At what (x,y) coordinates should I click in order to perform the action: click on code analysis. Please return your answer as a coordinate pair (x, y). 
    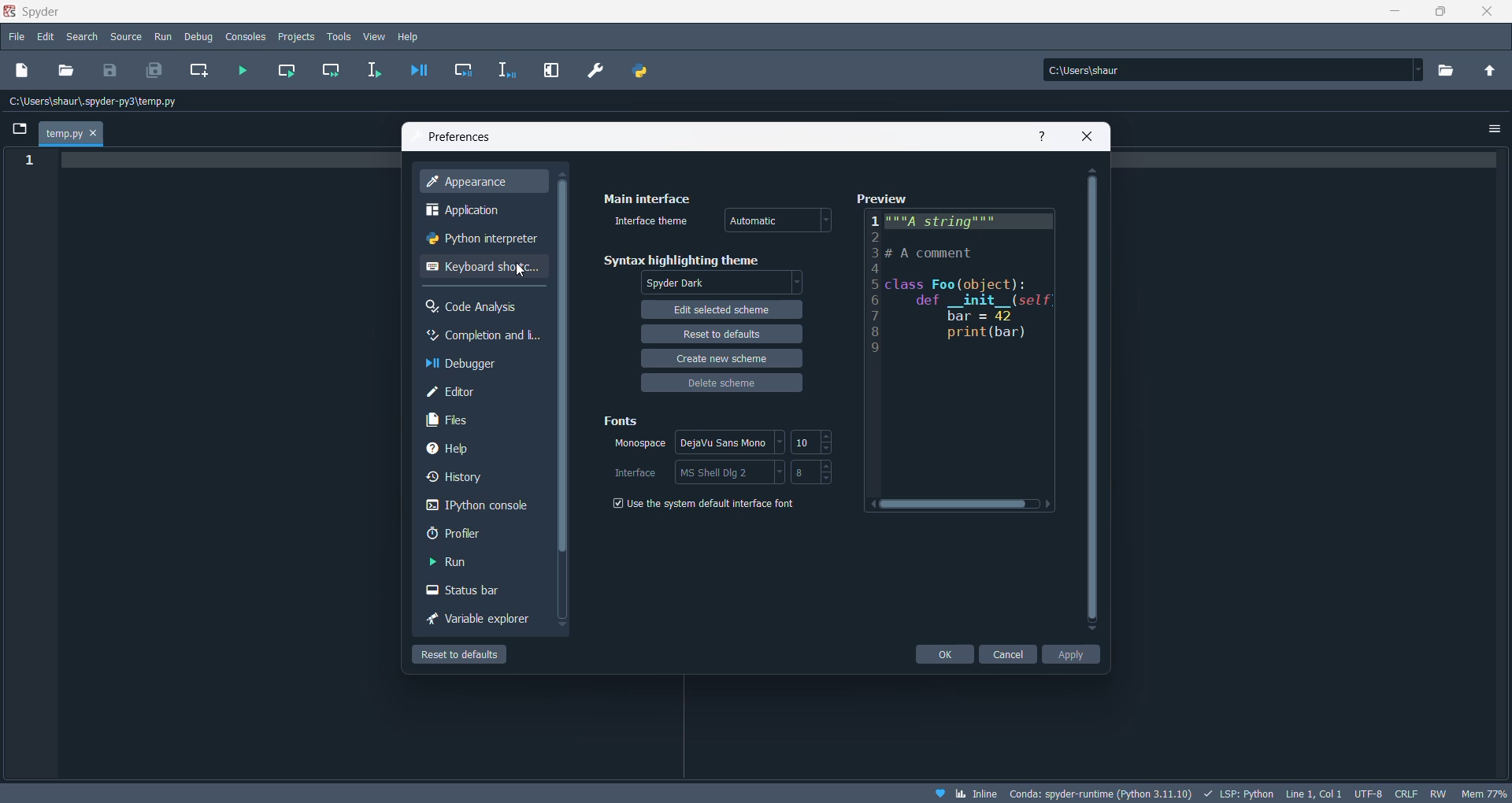
    Looking at the image, I should click on (476, 308).